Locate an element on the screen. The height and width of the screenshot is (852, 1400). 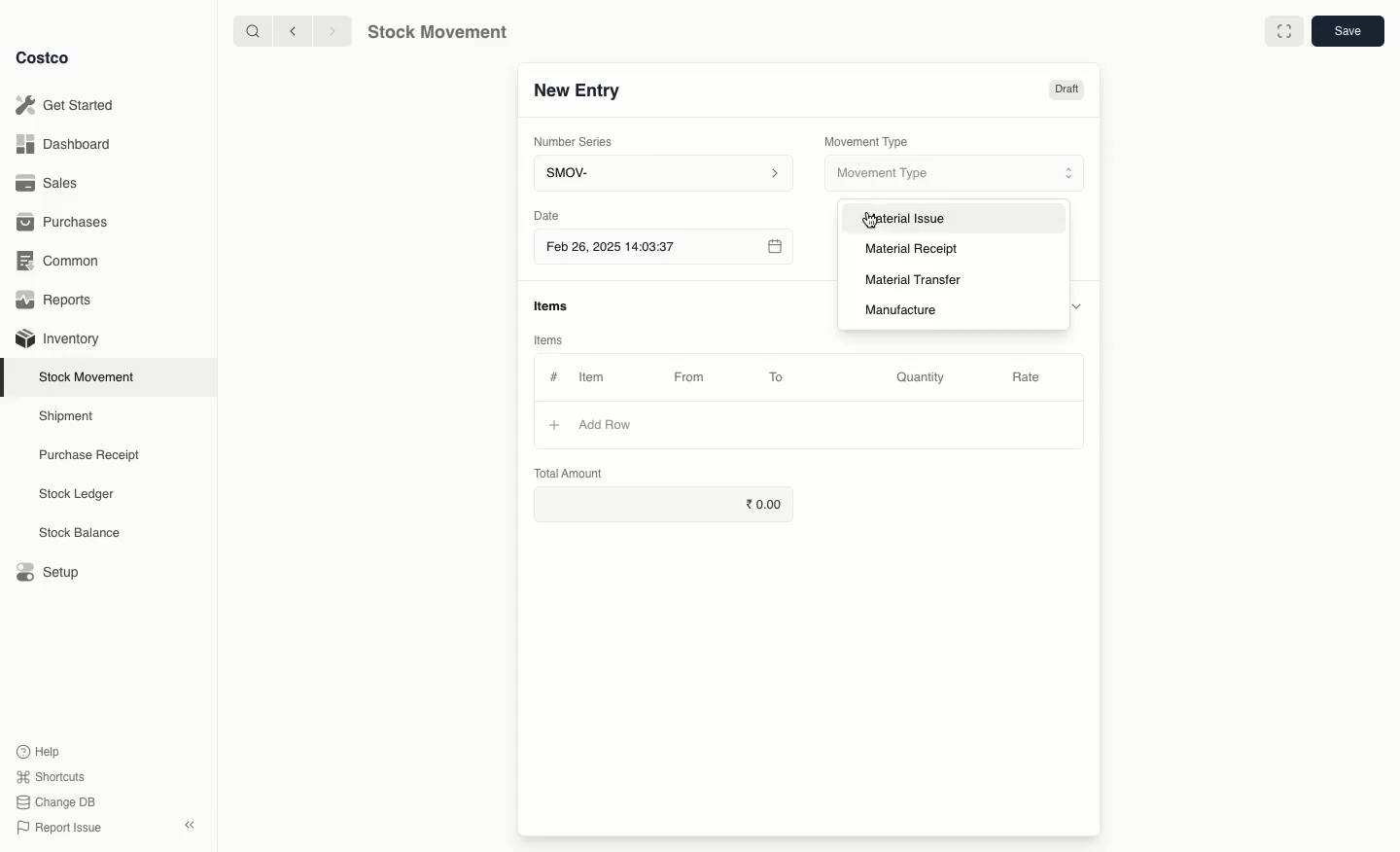
Stock Ledger is located at coordinates (77, 496).